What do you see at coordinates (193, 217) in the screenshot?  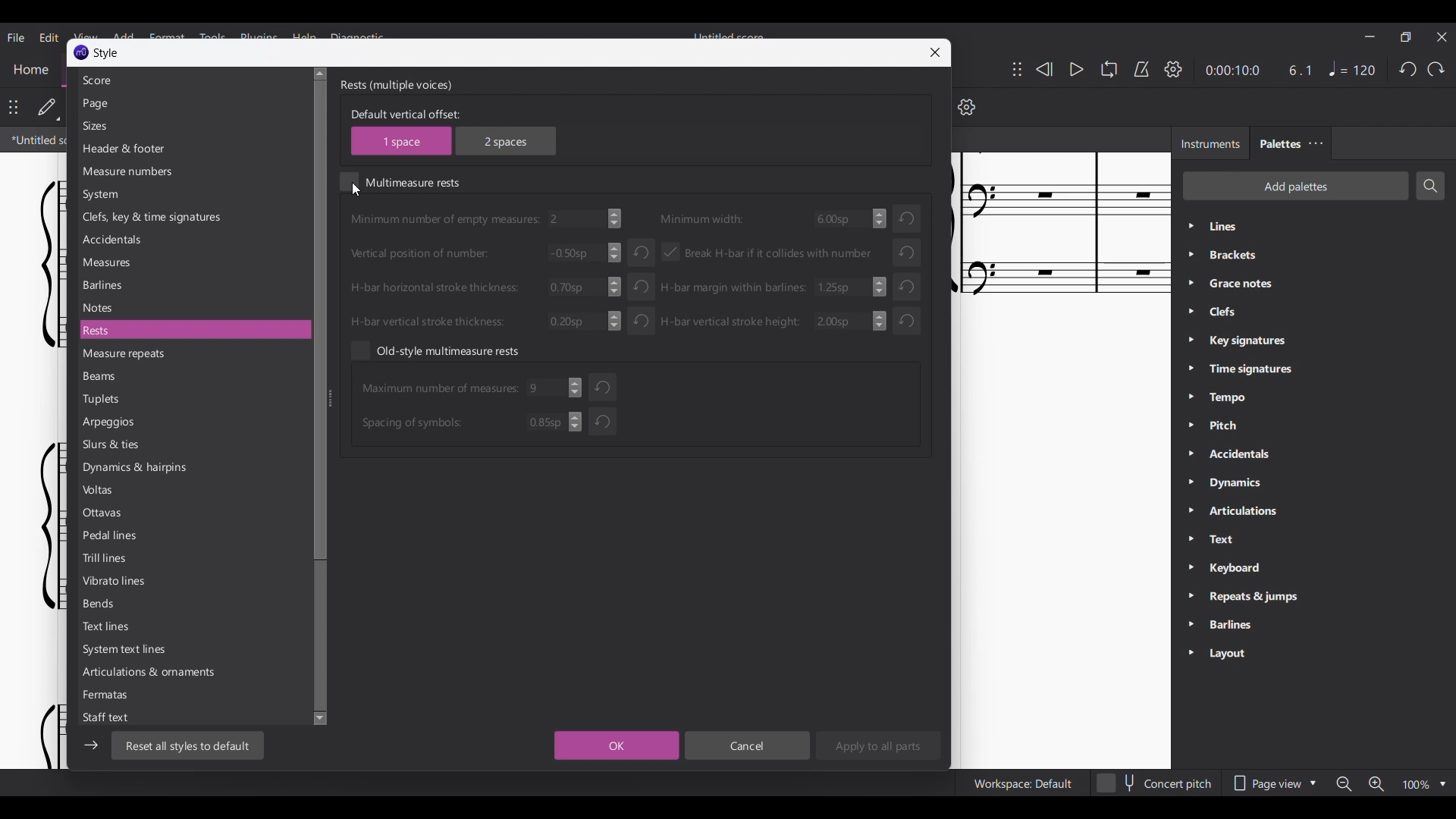 I see `Clefs, key and time signatures` at bounding box center [193, 217].